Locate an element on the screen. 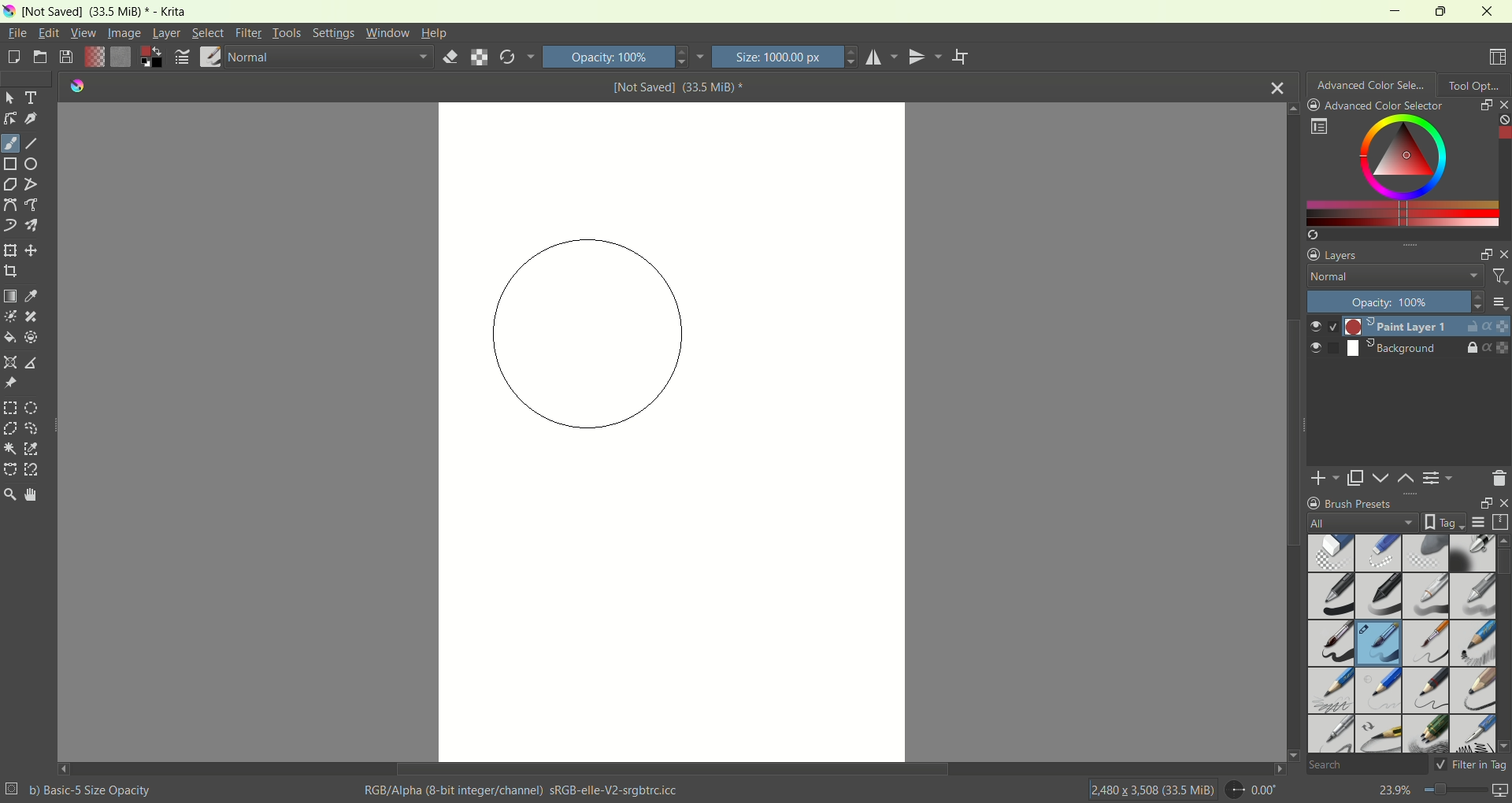  vertical scroll bar is located at coordinates (1503, 169).